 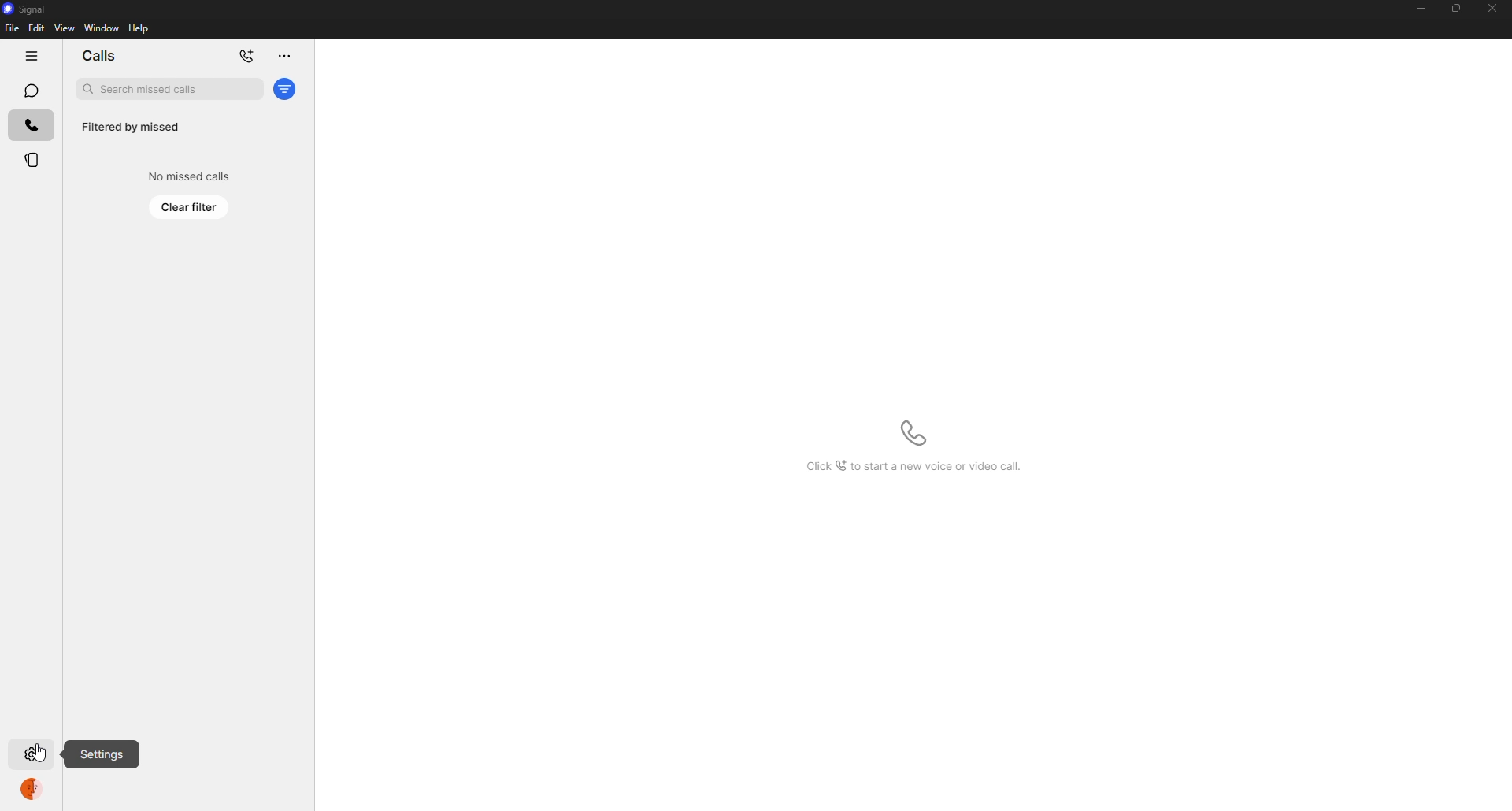 I want to click on search, so click(x=168, y=88).